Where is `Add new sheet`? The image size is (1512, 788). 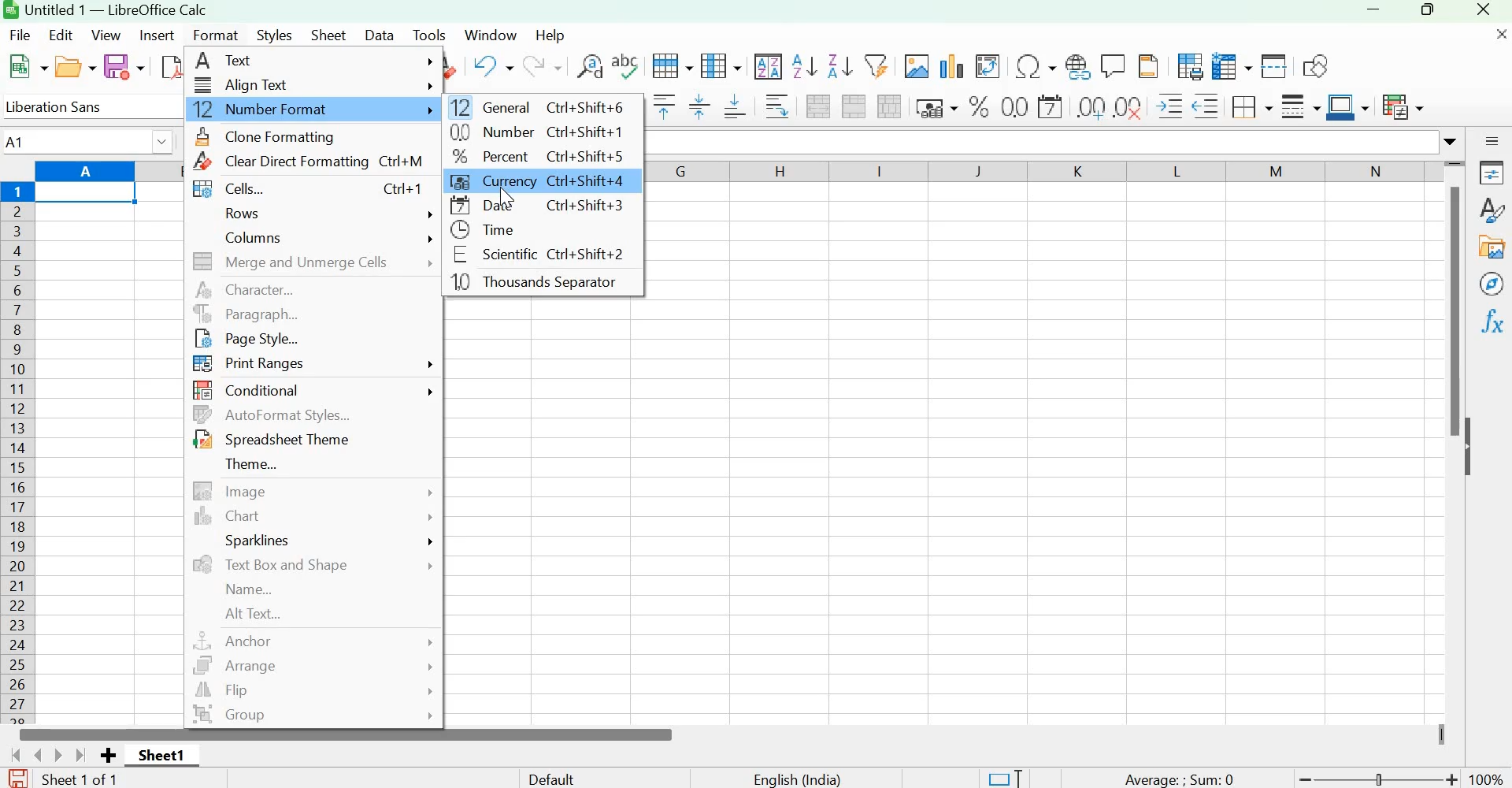 Add new sheet is located at coordinates (108, 756).